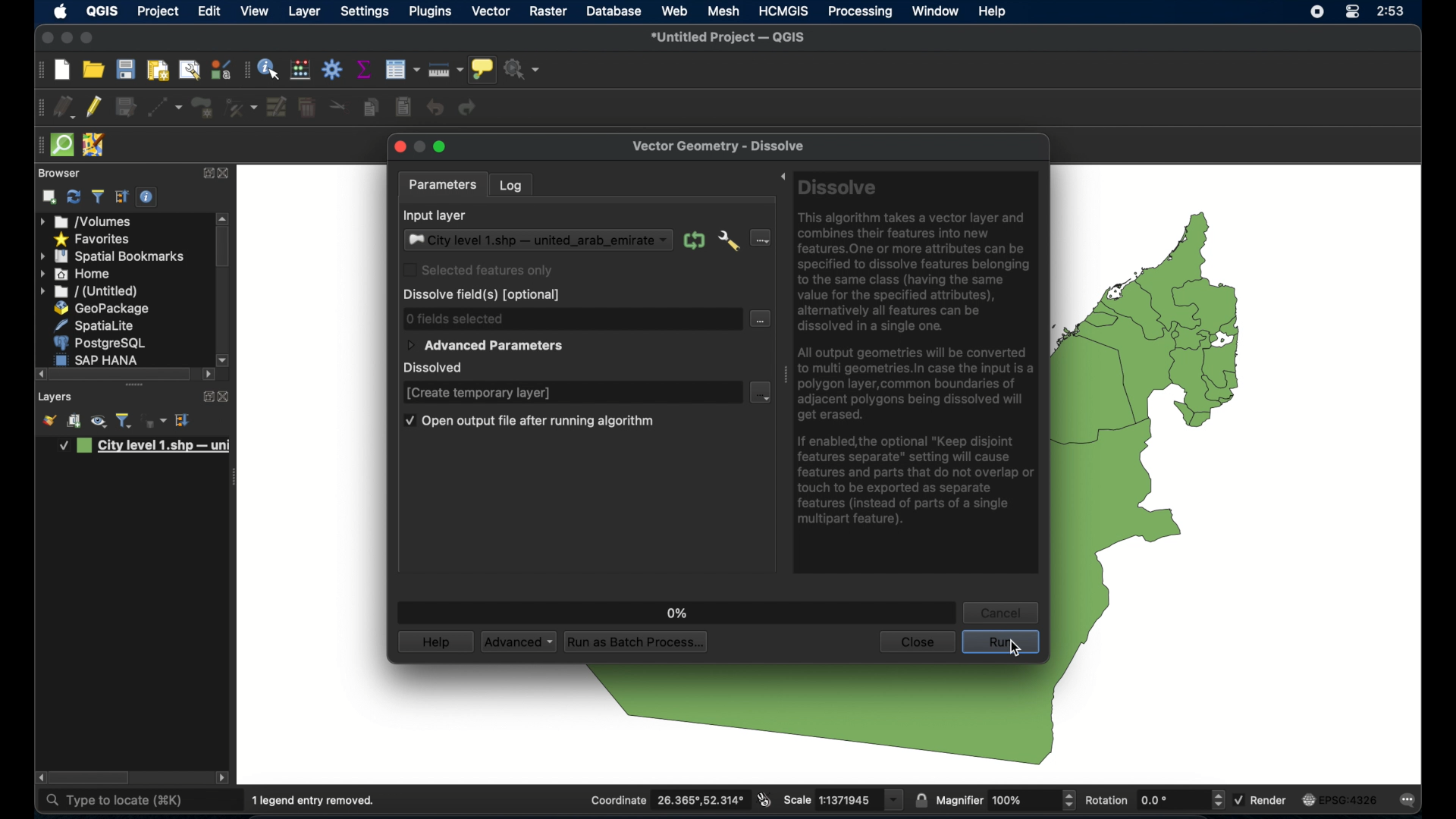 Image resolution: width=1456 pixels, height=819 pixels. Describe the element at coordinates (254, 11) in the screenshot. I see `view` at that location.